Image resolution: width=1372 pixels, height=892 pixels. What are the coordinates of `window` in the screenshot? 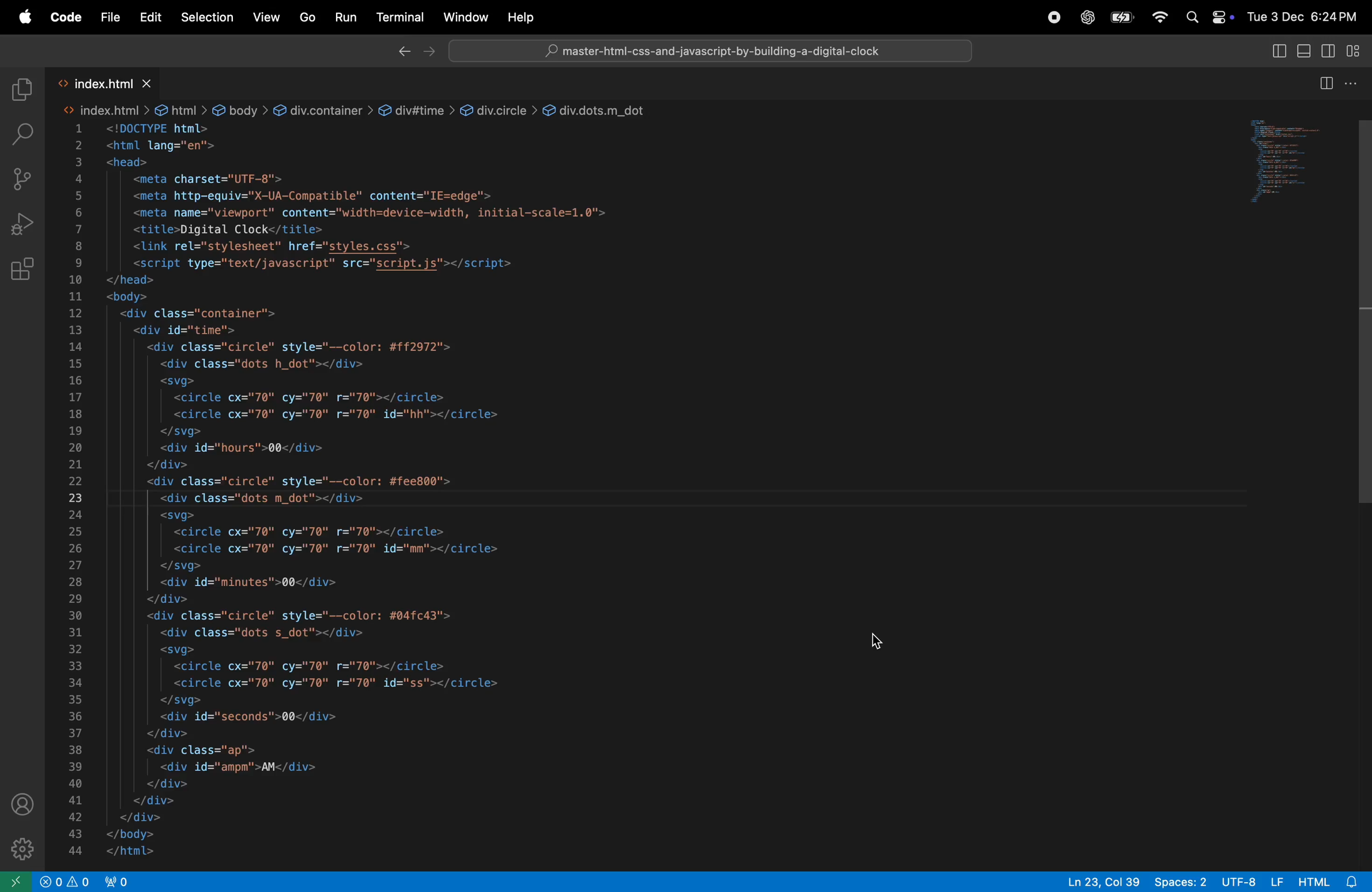 It's located at (465, 18).